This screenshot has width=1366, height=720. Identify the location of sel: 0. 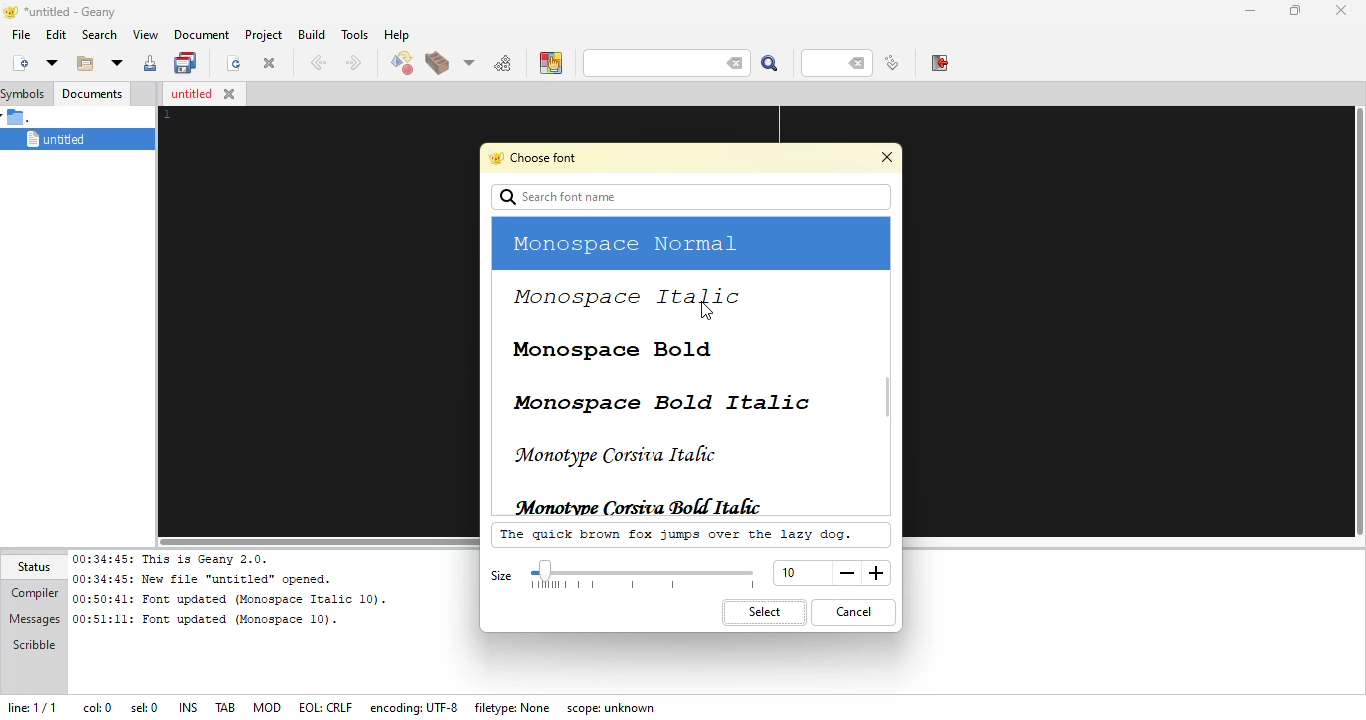
(142, 708).